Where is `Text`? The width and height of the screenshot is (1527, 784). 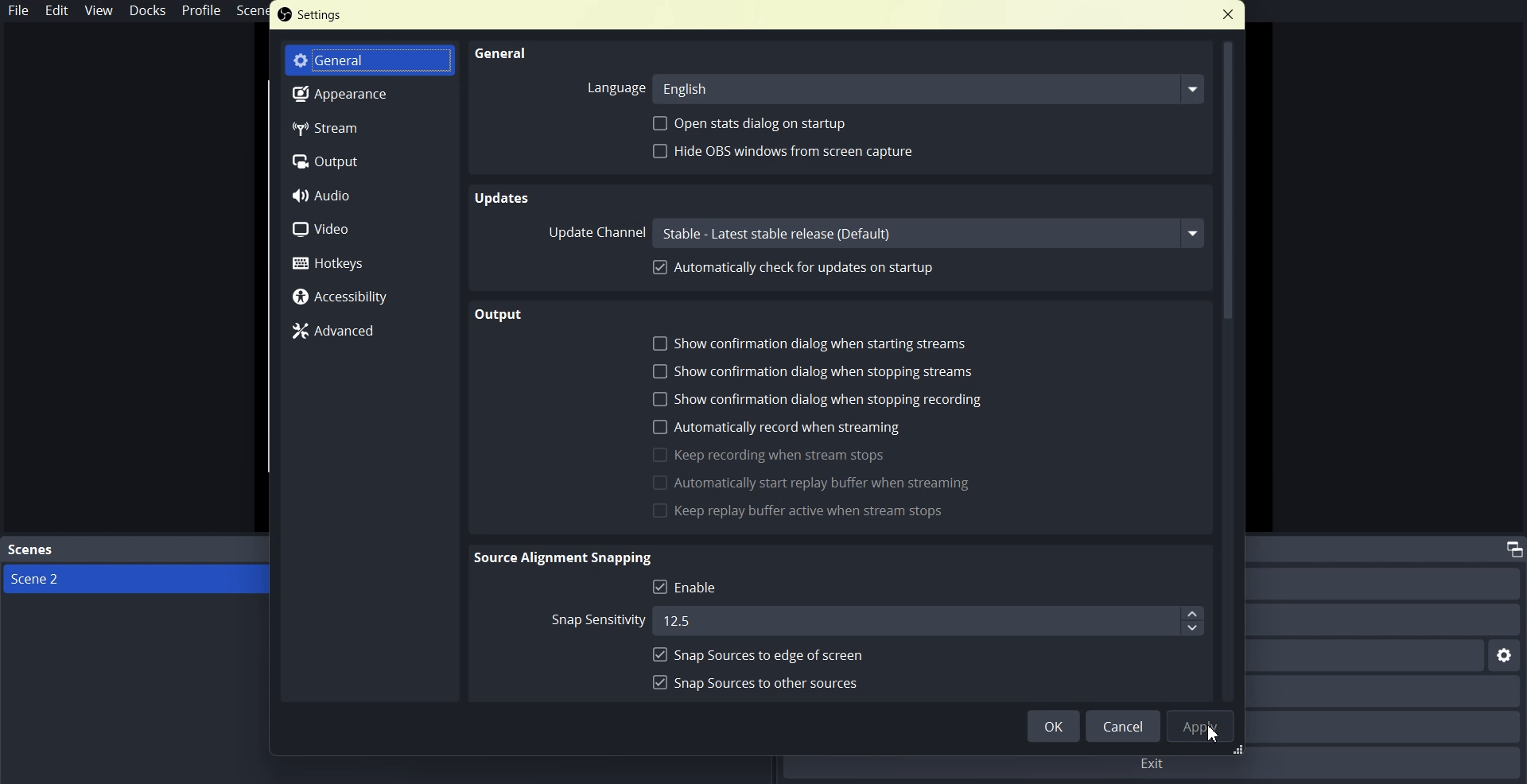
Text is located at coordinates (504, 199).